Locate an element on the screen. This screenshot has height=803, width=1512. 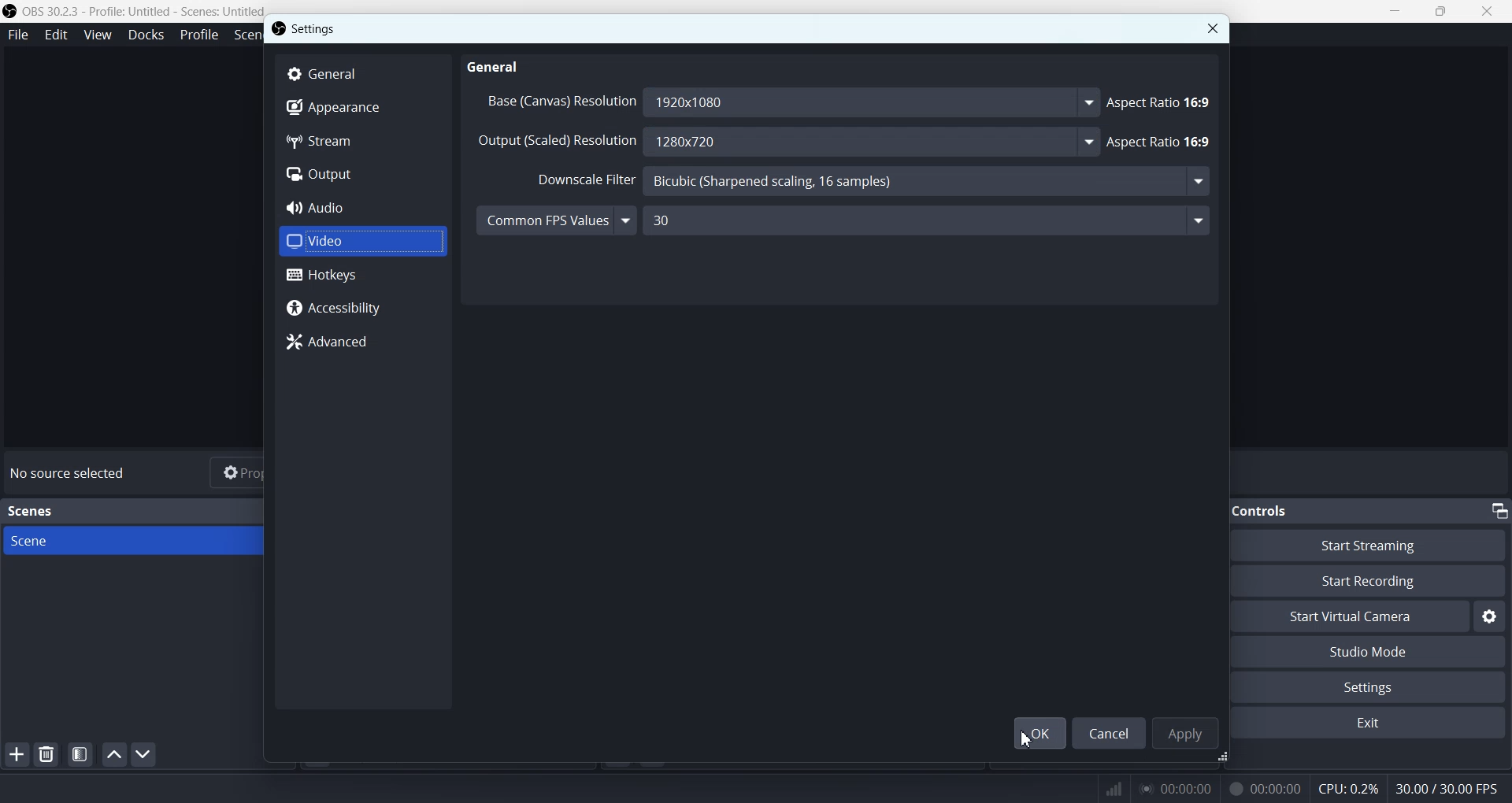
Cursor is located at coordinates (1027, 738).